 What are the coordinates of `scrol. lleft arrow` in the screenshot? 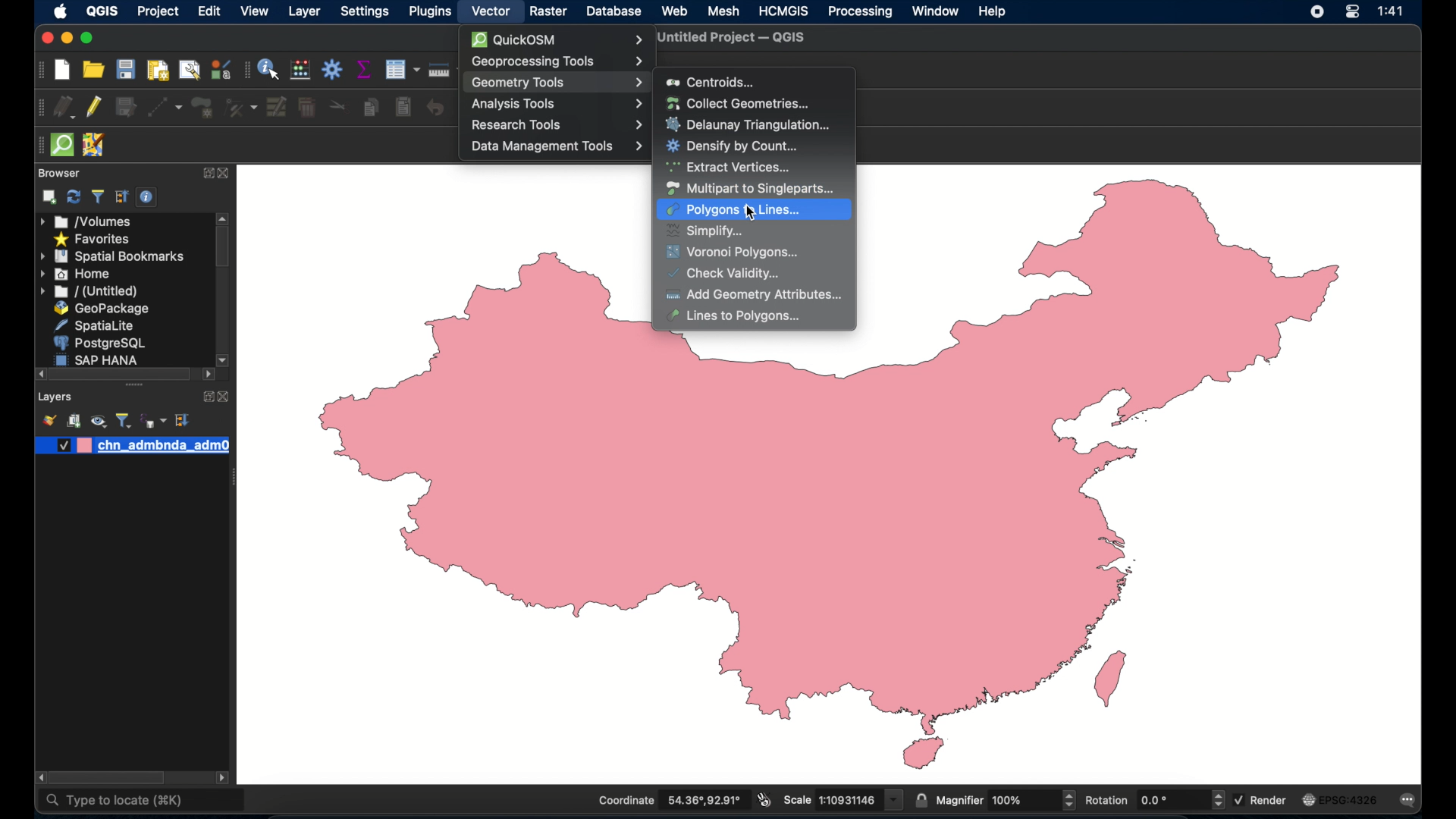 It's located at (224, 779).